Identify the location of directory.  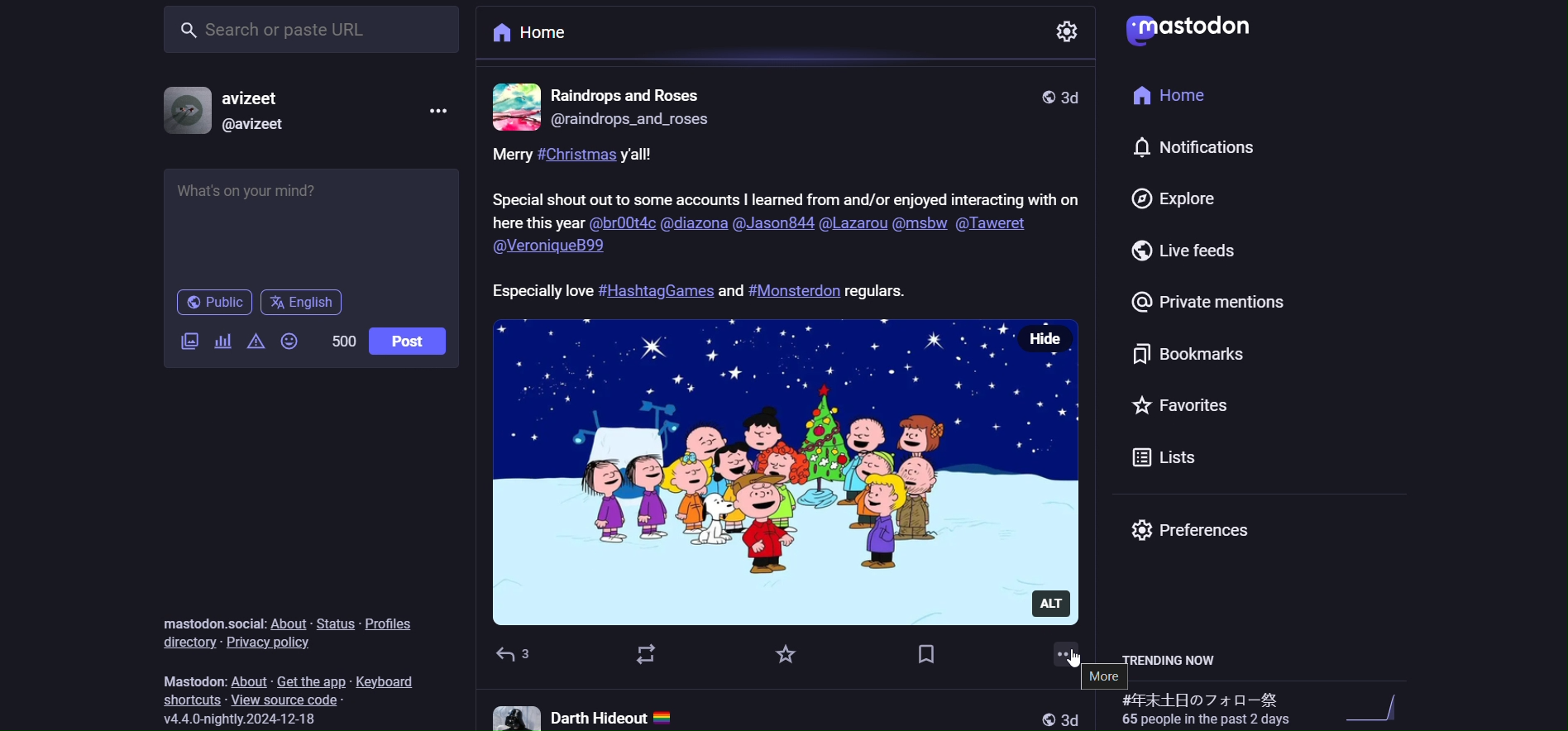
(186, 643).